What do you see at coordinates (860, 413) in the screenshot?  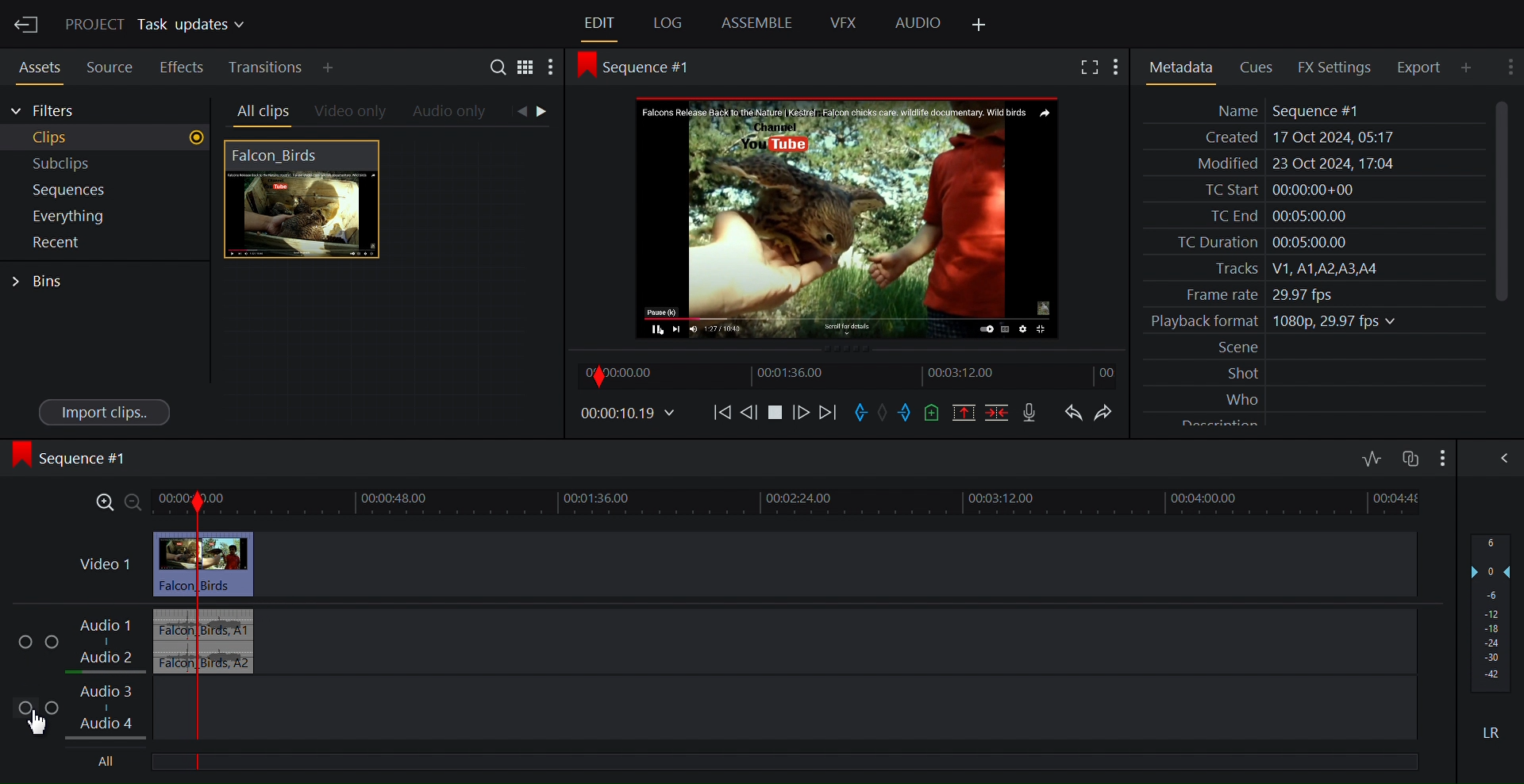 I see `Mark in` at bounding box center [860, 413].